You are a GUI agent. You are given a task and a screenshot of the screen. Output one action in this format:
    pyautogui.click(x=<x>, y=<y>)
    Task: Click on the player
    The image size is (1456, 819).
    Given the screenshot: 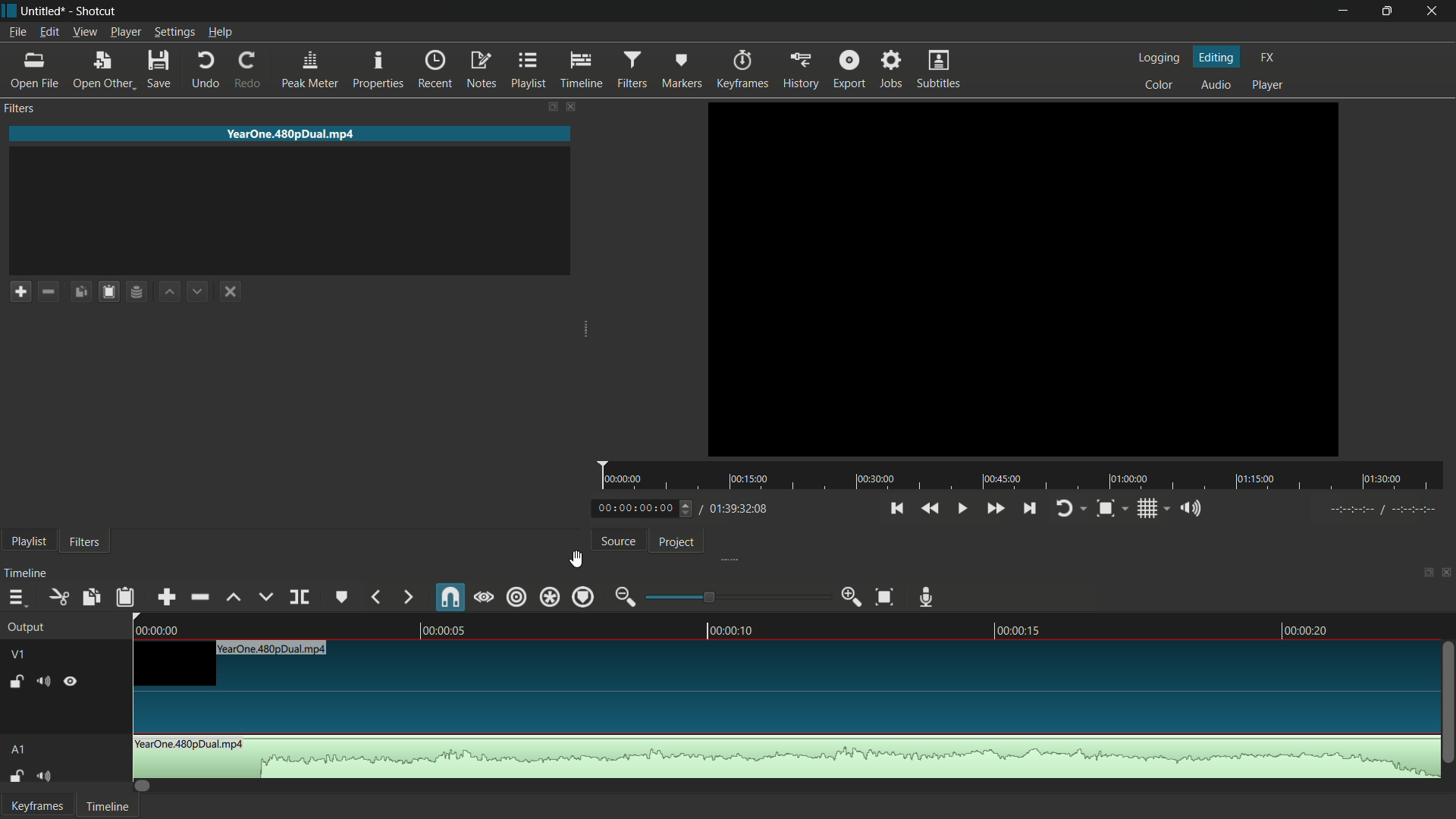 What is the action you would take?
    pyautogui.click(x=1271, y=83)
    